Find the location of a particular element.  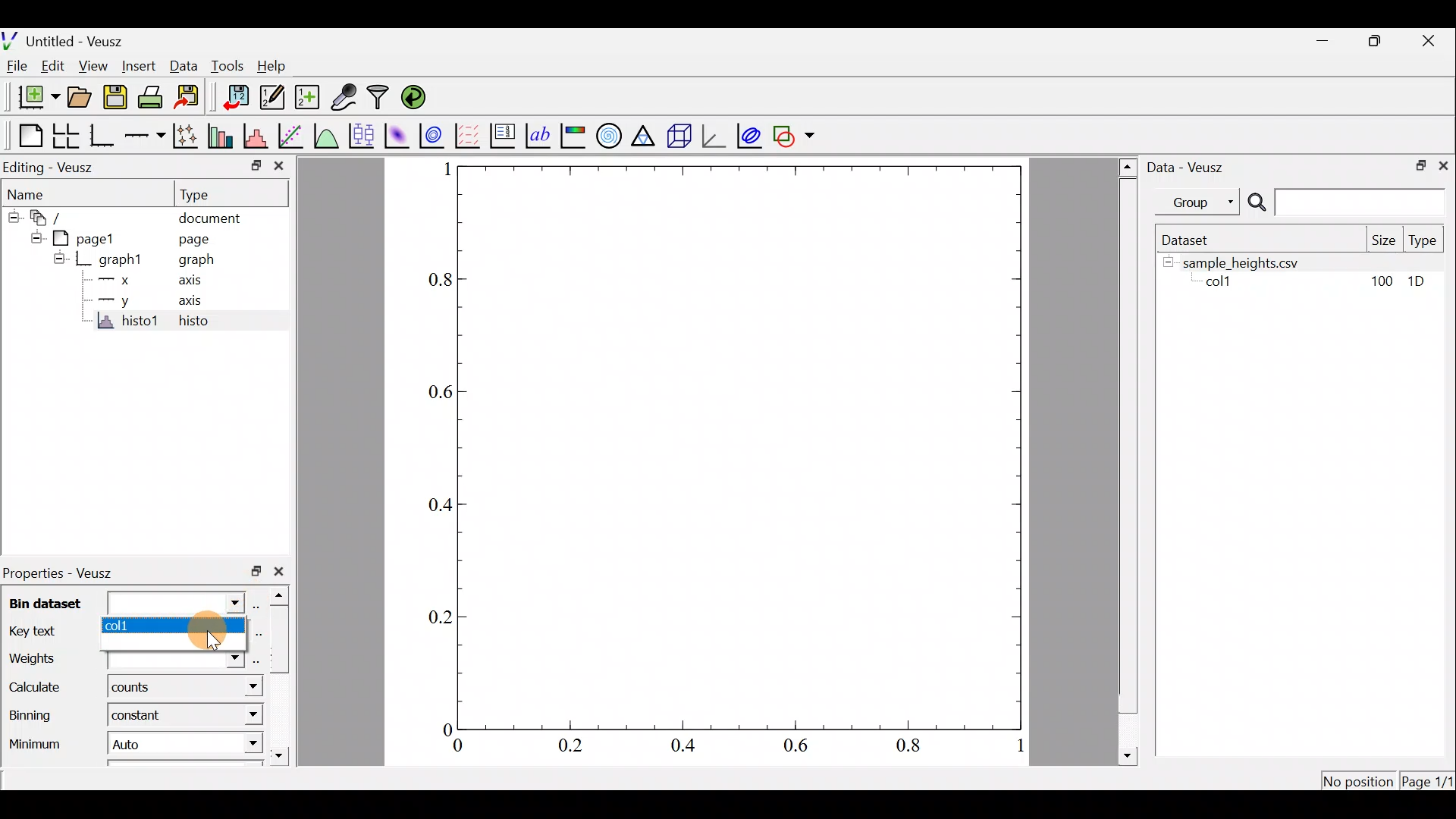

page is located at coordinates (92, 239).